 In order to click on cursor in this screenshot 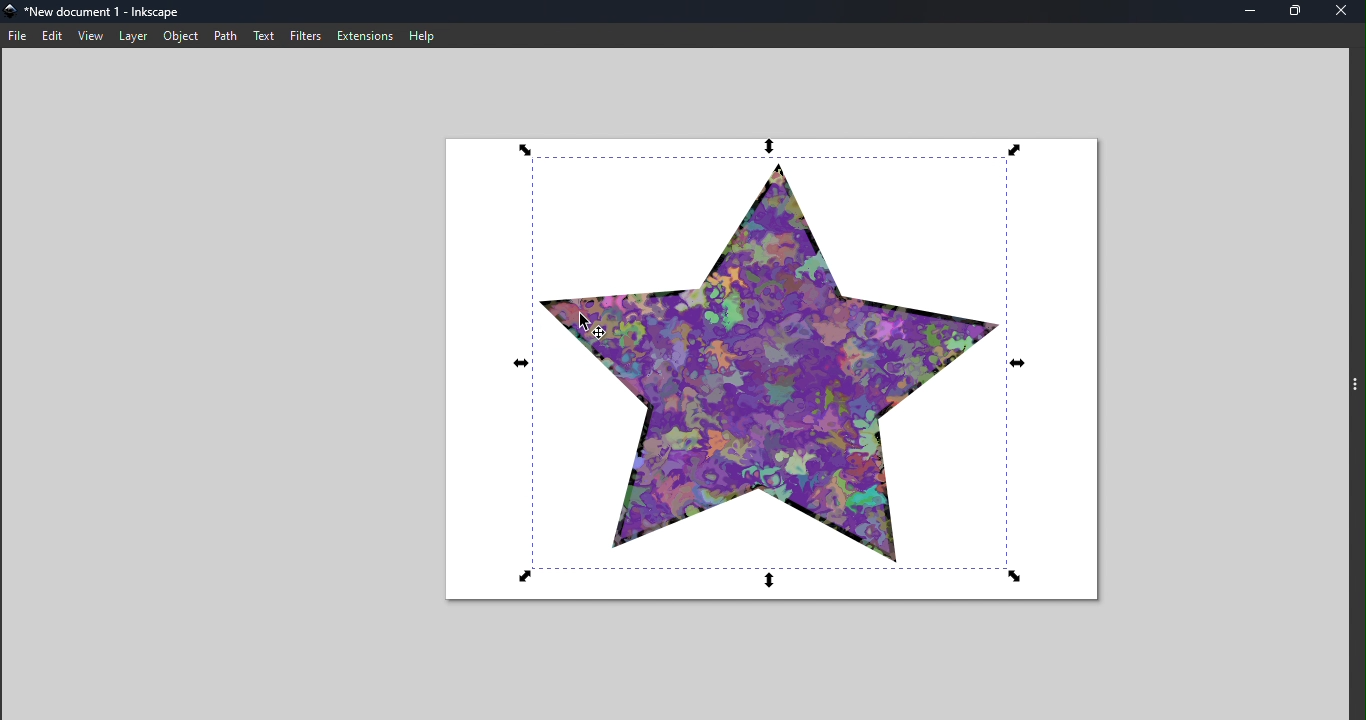, I will do `click(590, 324)`.